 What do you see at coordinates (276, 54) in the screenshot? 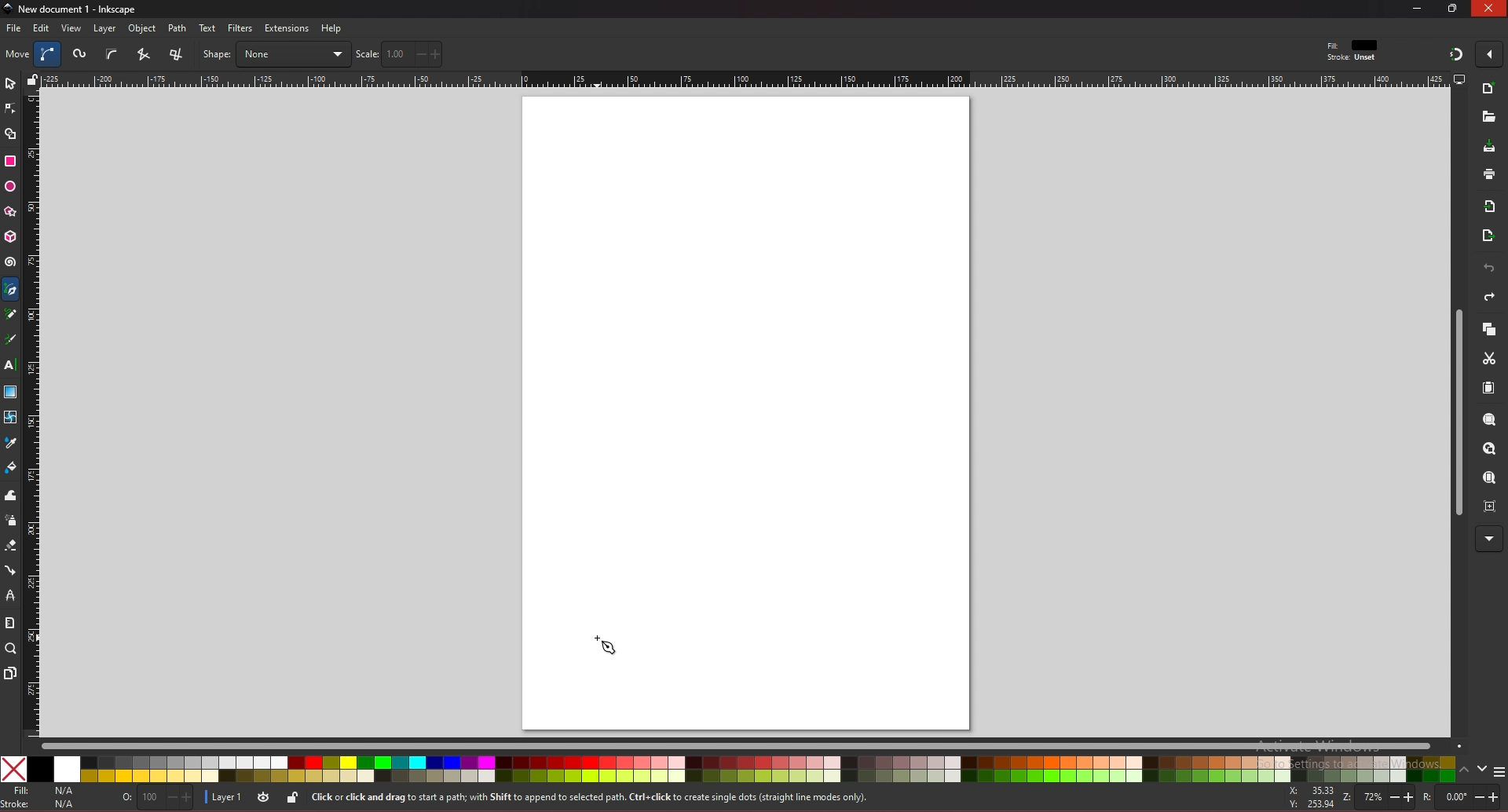
I see `shape` at bounding box center [276, 54].